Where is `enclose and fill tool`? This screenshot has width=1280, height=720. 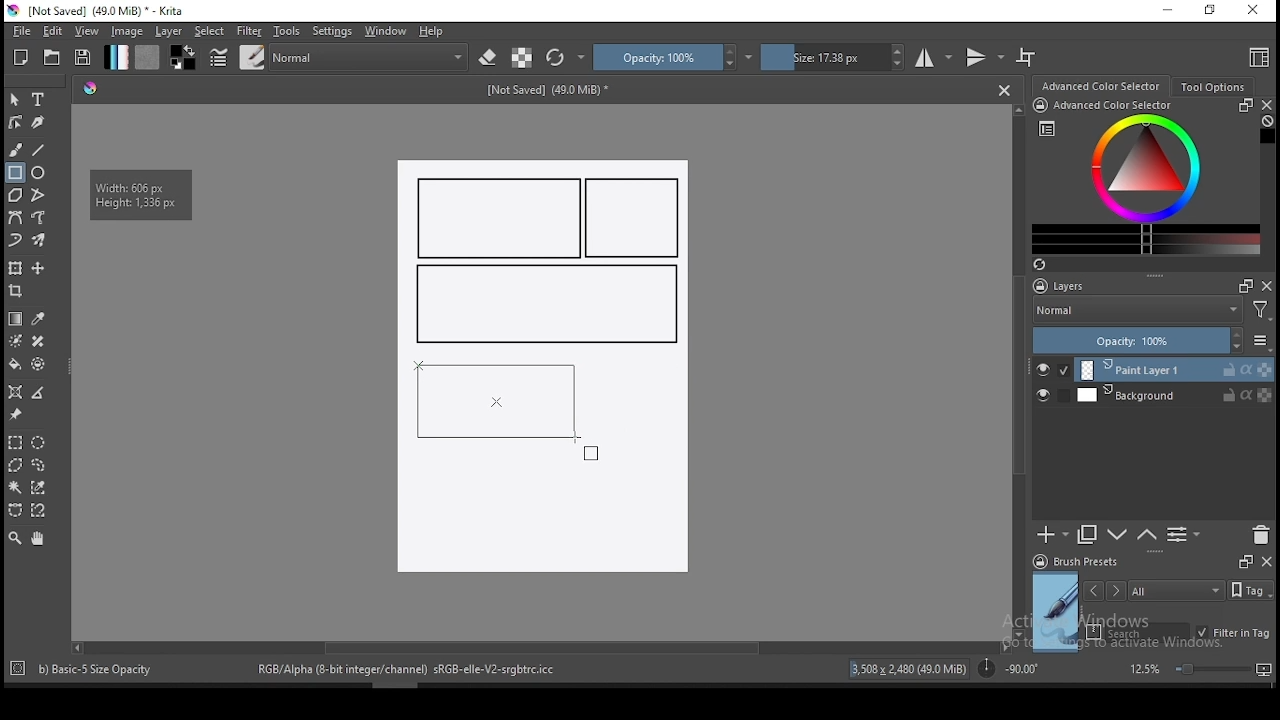 enclose and fill tool is located at coordinates (38, 364).